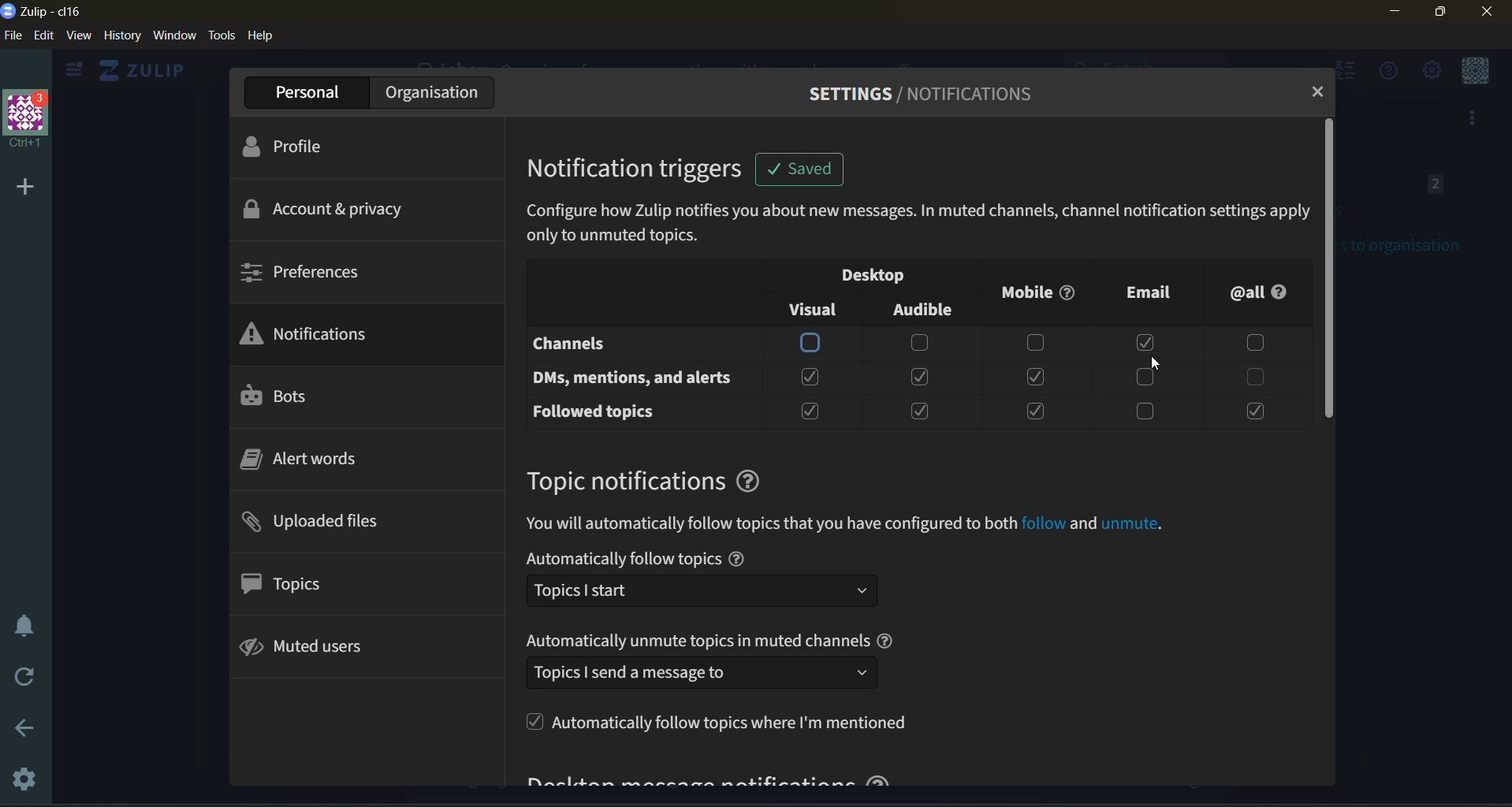 Image resolution: width=1512 pixels, height=807 pixels. What do you see at coordinates (299, 149) in the screenshot?
I see `profile` at bounding box center [299, 149].